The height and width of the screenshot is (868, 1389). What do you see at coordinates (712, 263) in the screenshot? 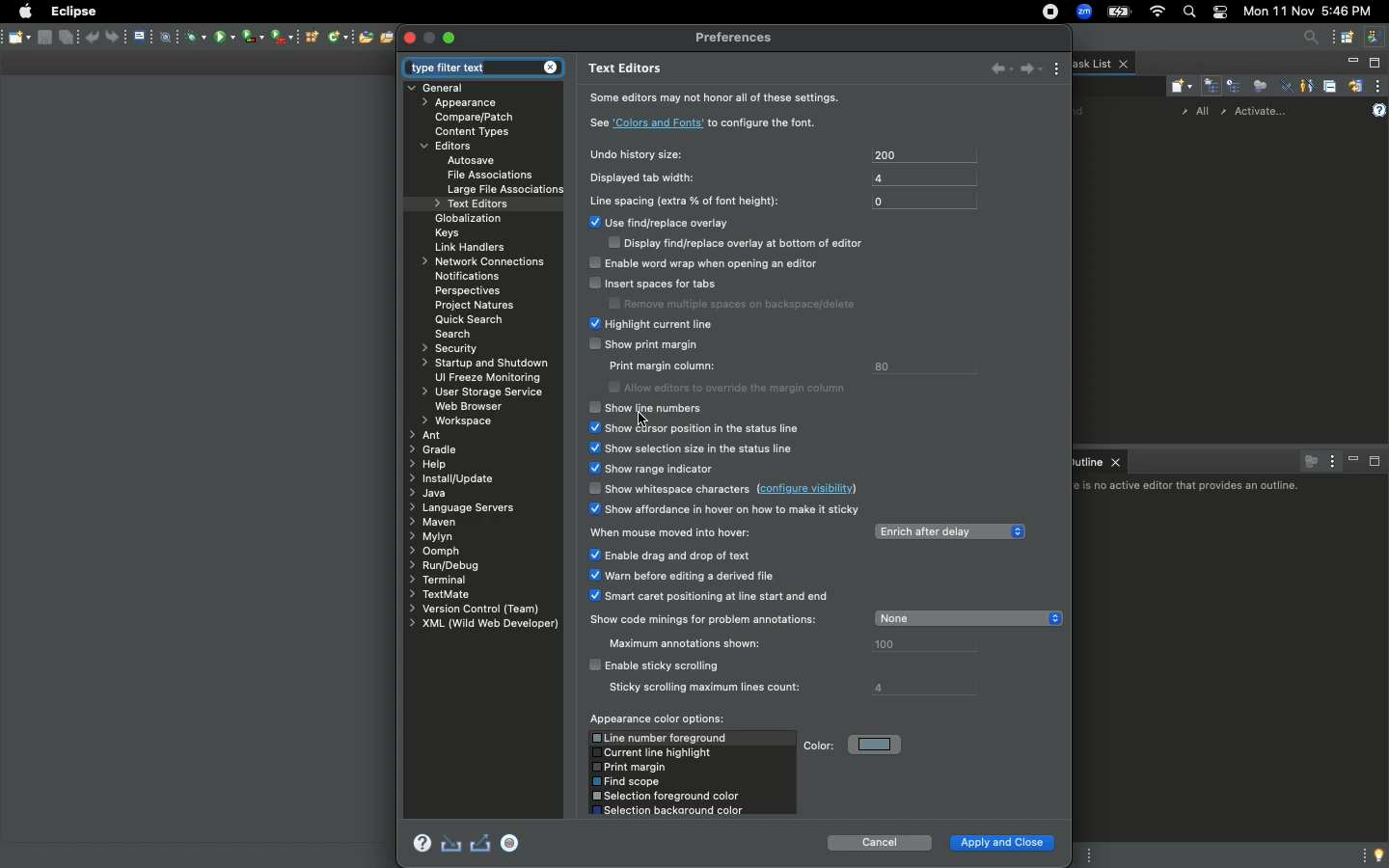
I see `Enable word wrap when opening an editor` at bounding box center [712, 263].